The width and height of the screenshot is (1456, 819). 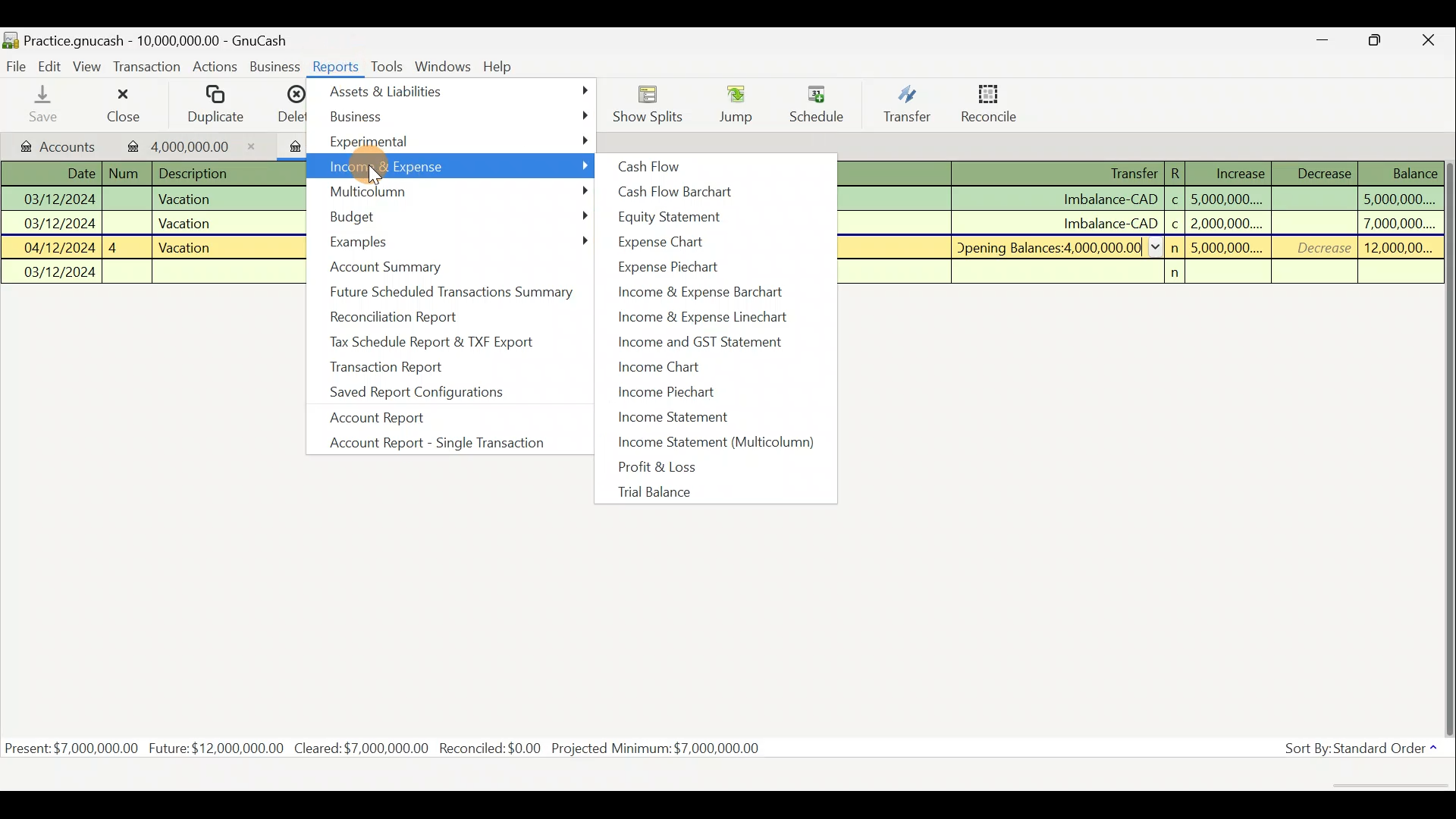 What do you see at coordinates (1176, 224) in the screenshot?
I see `c` at bounding box center [1176, 224].